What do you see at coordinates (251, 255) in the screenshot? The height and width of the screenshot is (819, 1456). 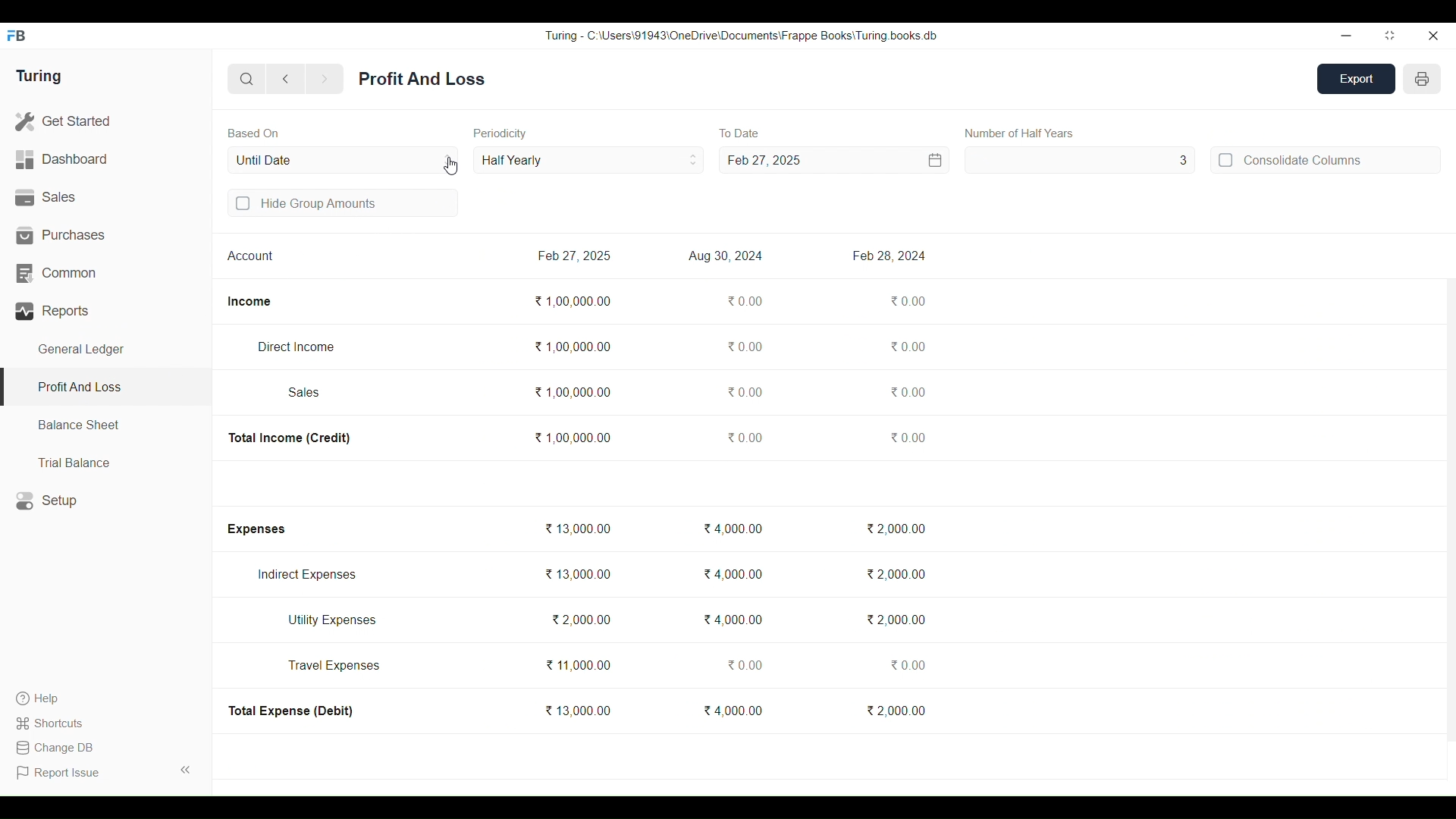 I see `Account` at bounding box center [251, 255].